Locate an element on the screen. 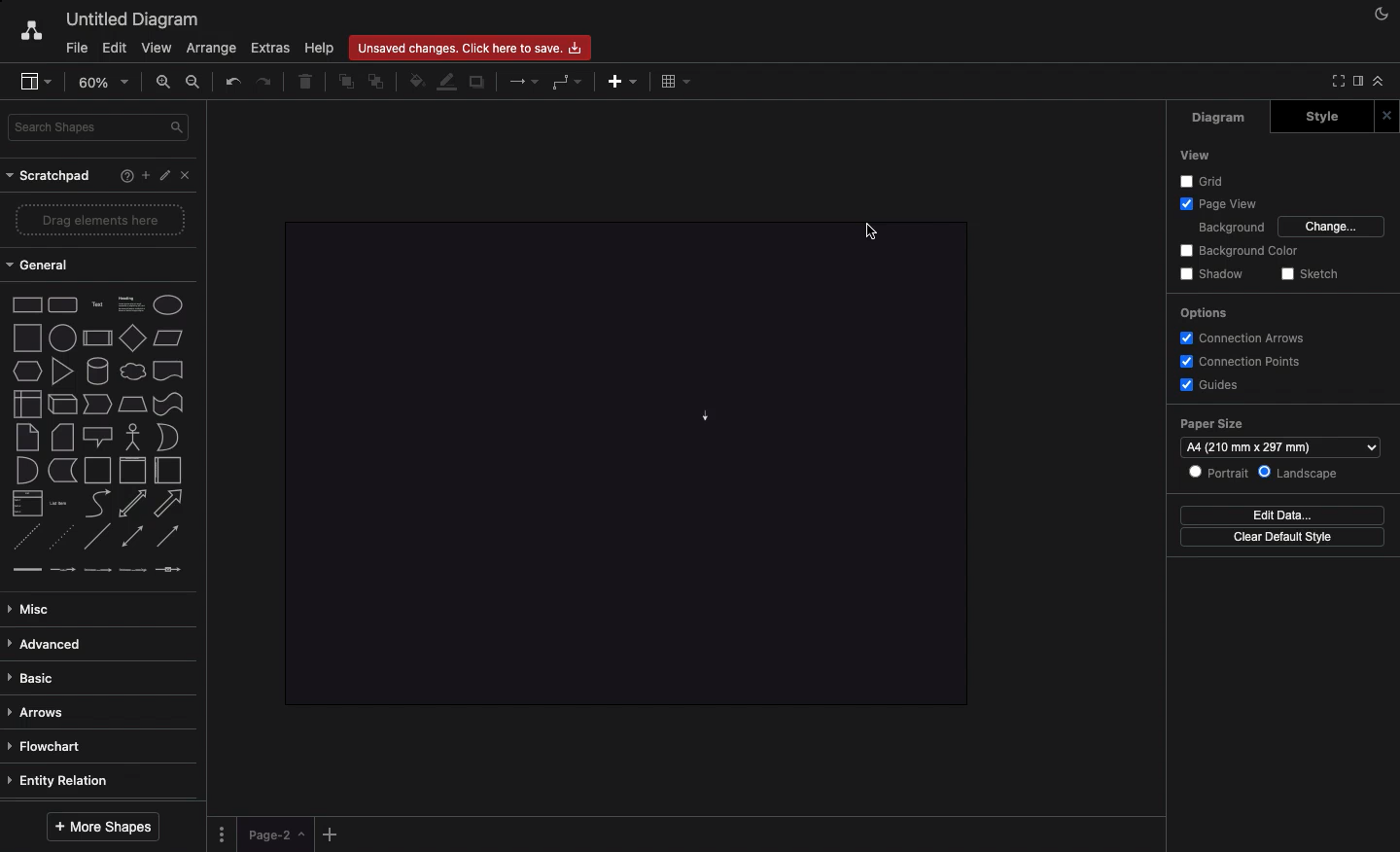  Table is located at coordinates (678, 81).